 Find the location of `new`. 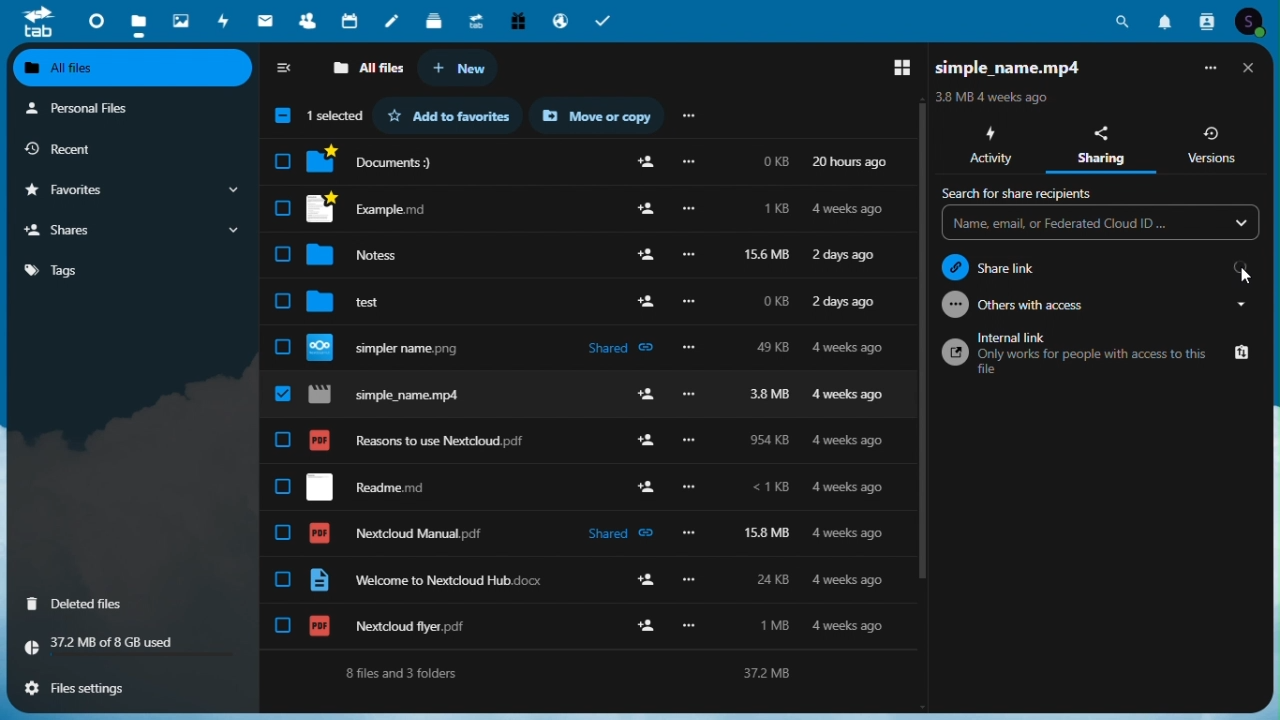

new is located at coordinates (456, 69).